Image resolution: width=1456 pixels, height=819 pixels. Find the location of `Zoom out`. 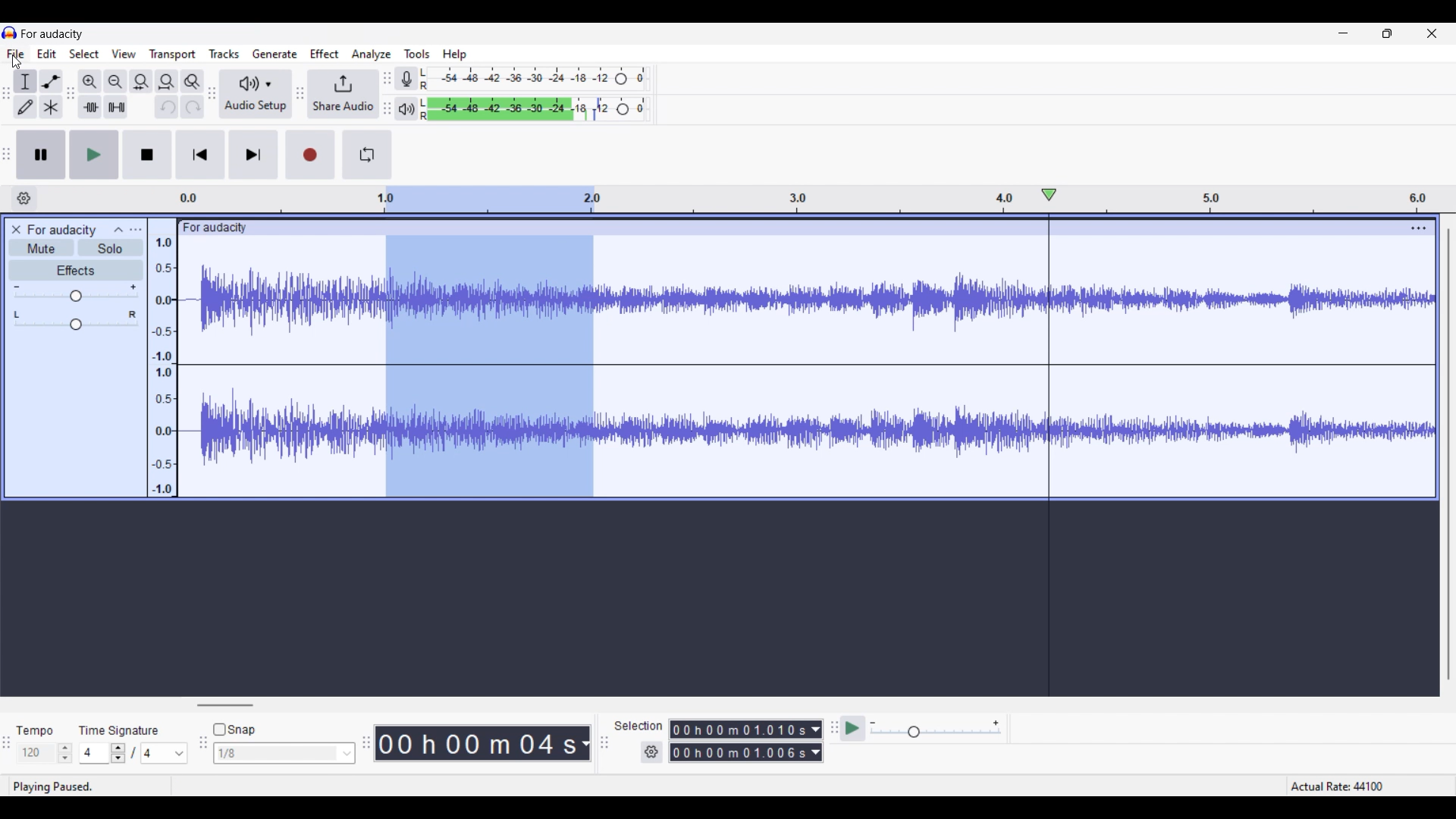

Zoom out is located at coordinates (116, 81).